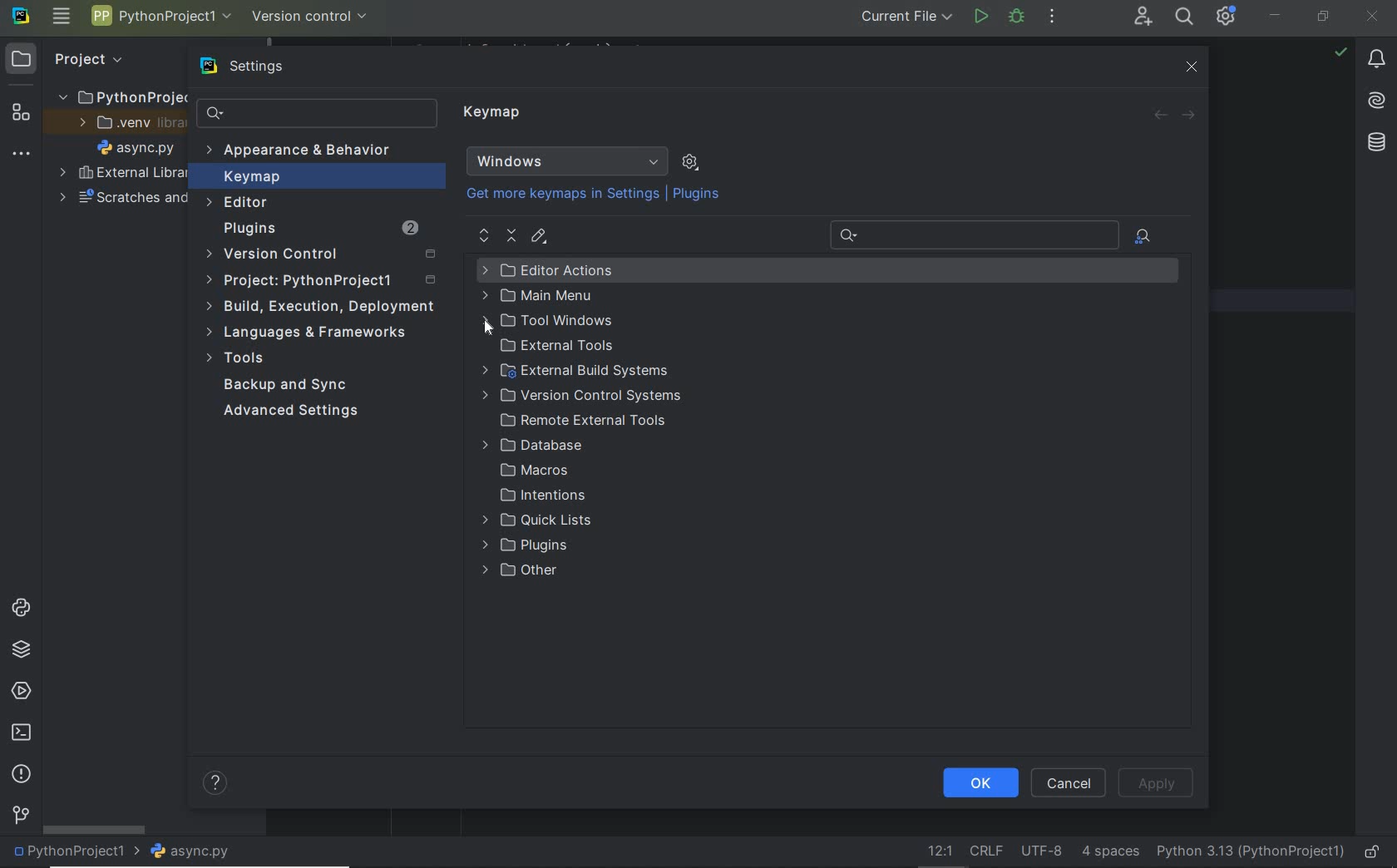 Image resolution: width=1397 pixels, height=868 pixels. Describe the element at coordinates (119, 174) in the screenshot. I see `External Libraries` at that location.